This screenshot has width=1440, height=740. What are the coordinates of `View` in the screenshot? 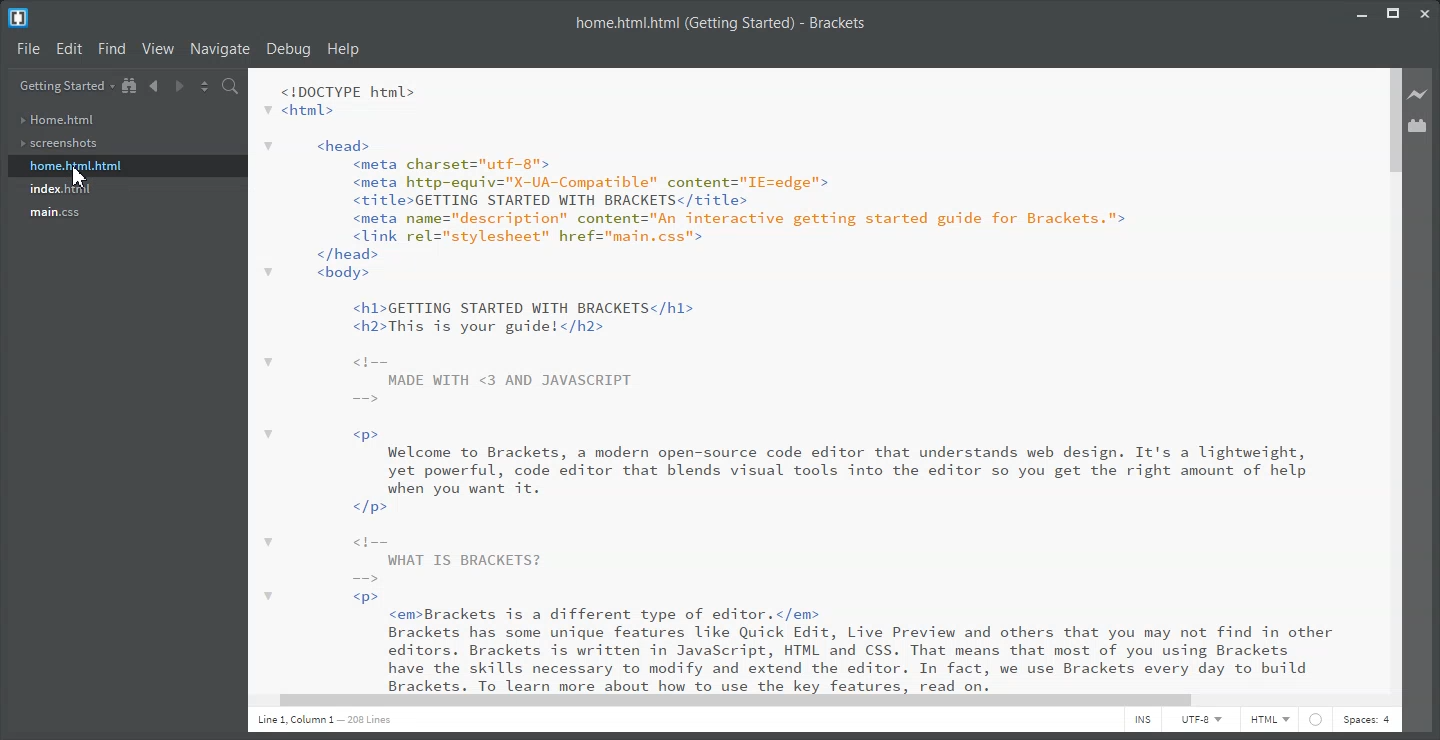 It's located at (160, 48).